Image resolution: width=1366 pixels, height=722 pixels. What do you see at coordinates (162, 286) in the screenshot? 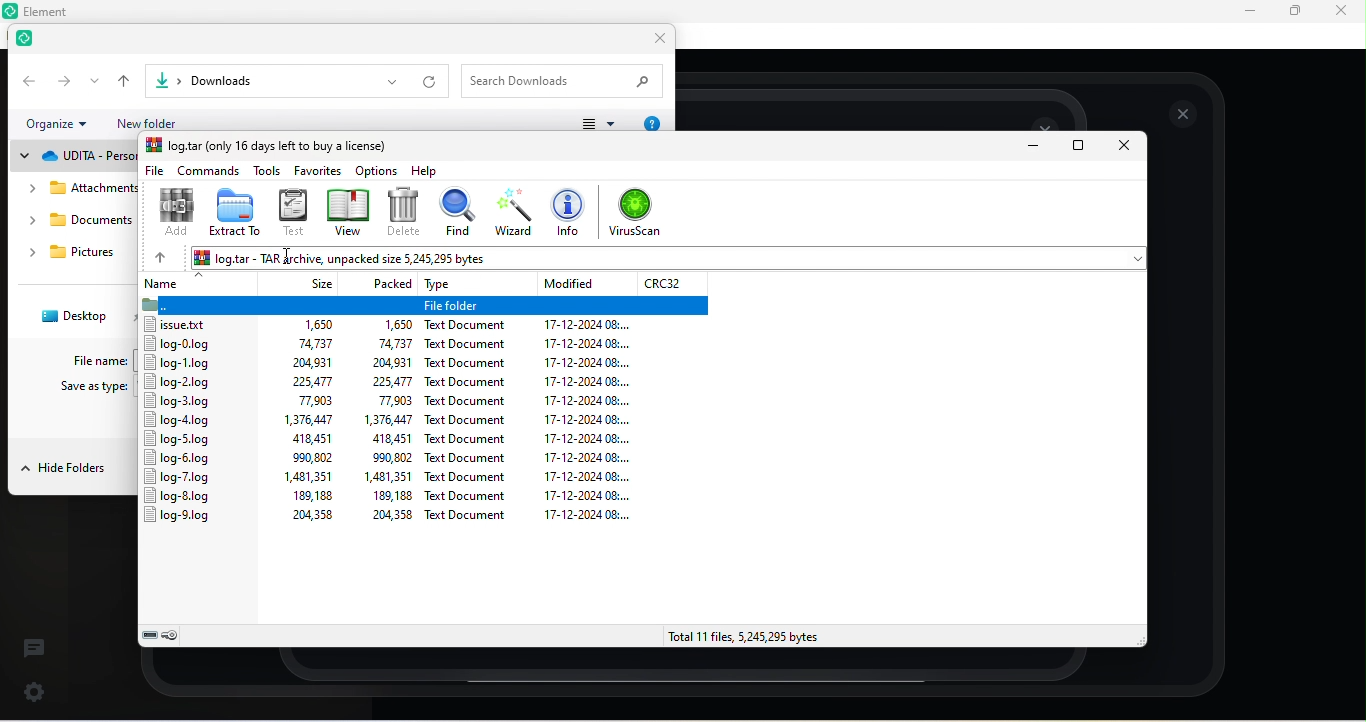
I see `name` at bounding box center [162, 286].